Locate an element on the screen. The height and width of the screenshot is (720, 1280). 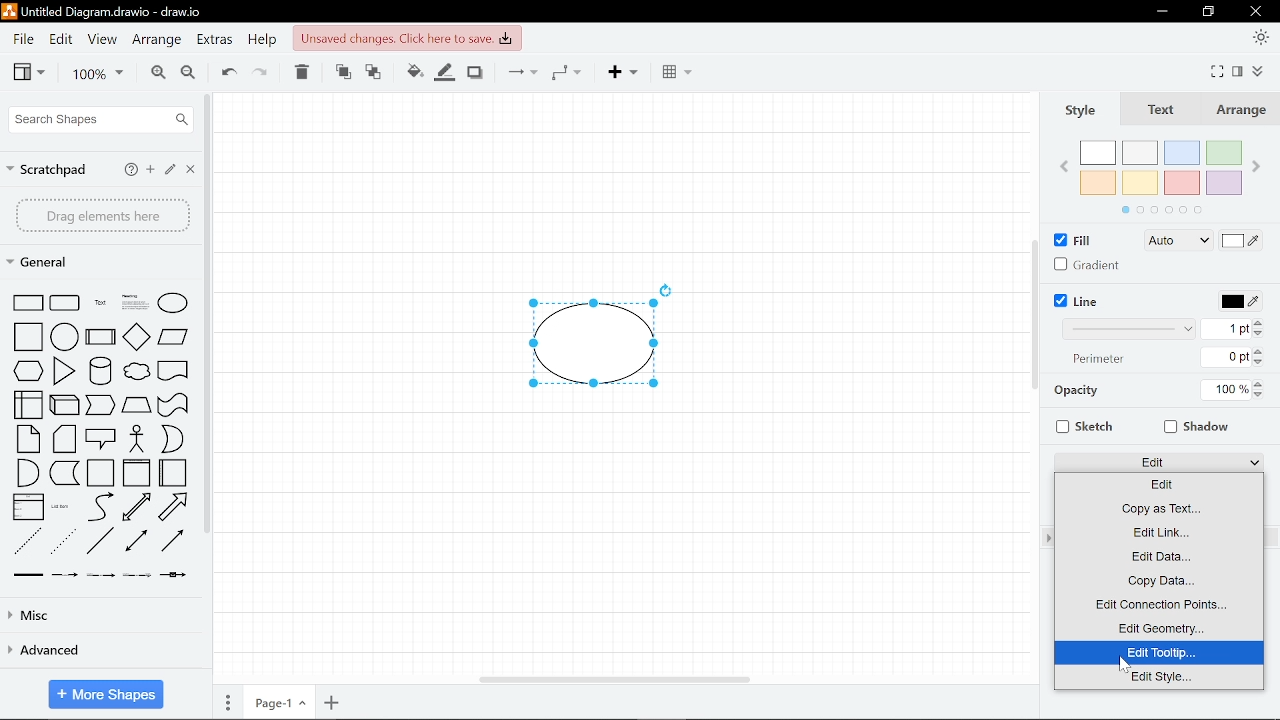
File is located at coordinates (23, 38).